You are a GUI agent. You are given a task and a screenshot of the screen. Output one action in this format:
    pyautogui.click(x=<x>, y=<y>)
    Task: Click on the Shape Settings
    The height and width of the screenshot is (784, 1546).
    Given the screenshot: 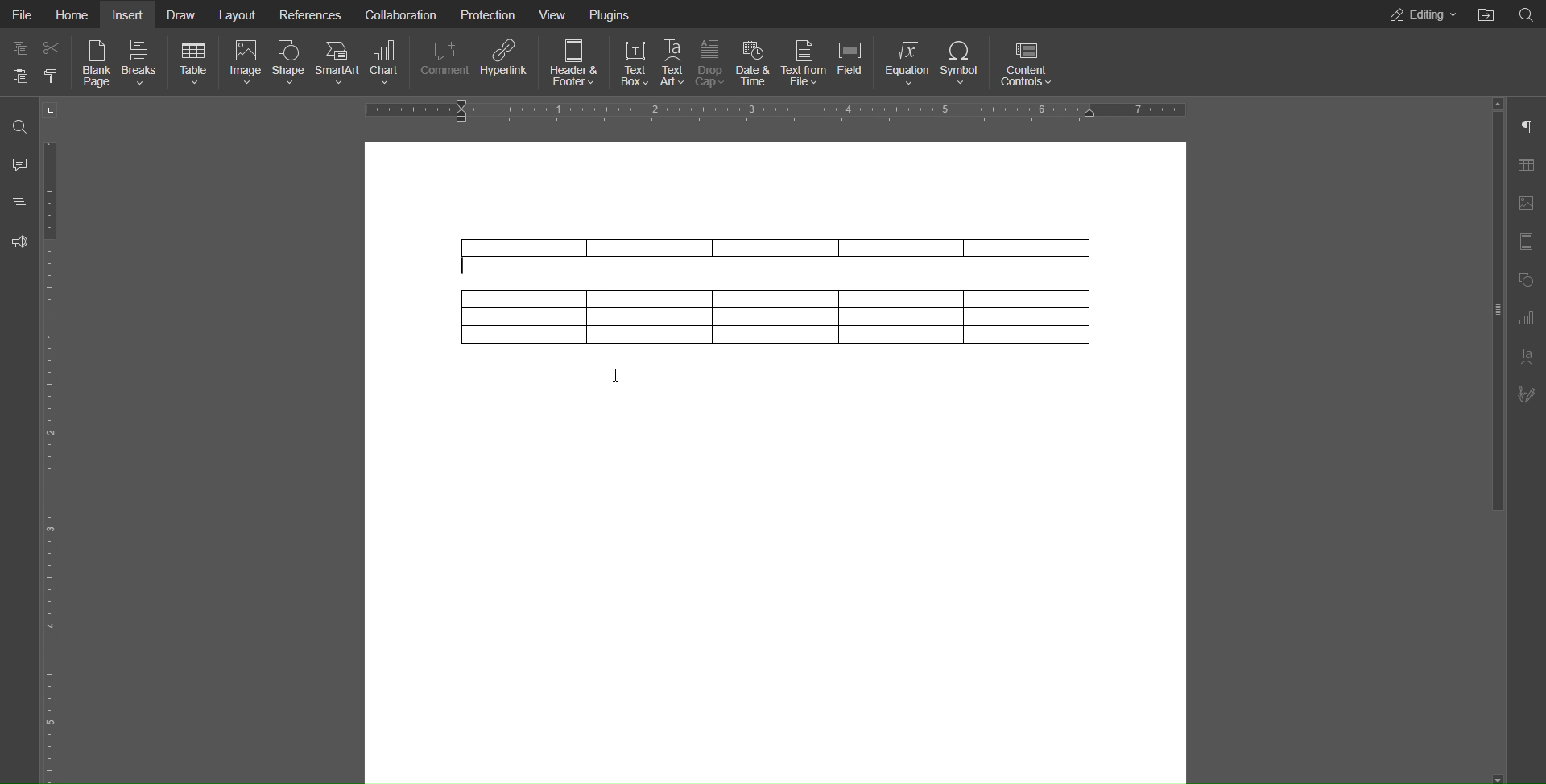 What is the action you would take?
    pyautogui.click(x=1527, y=282)
    